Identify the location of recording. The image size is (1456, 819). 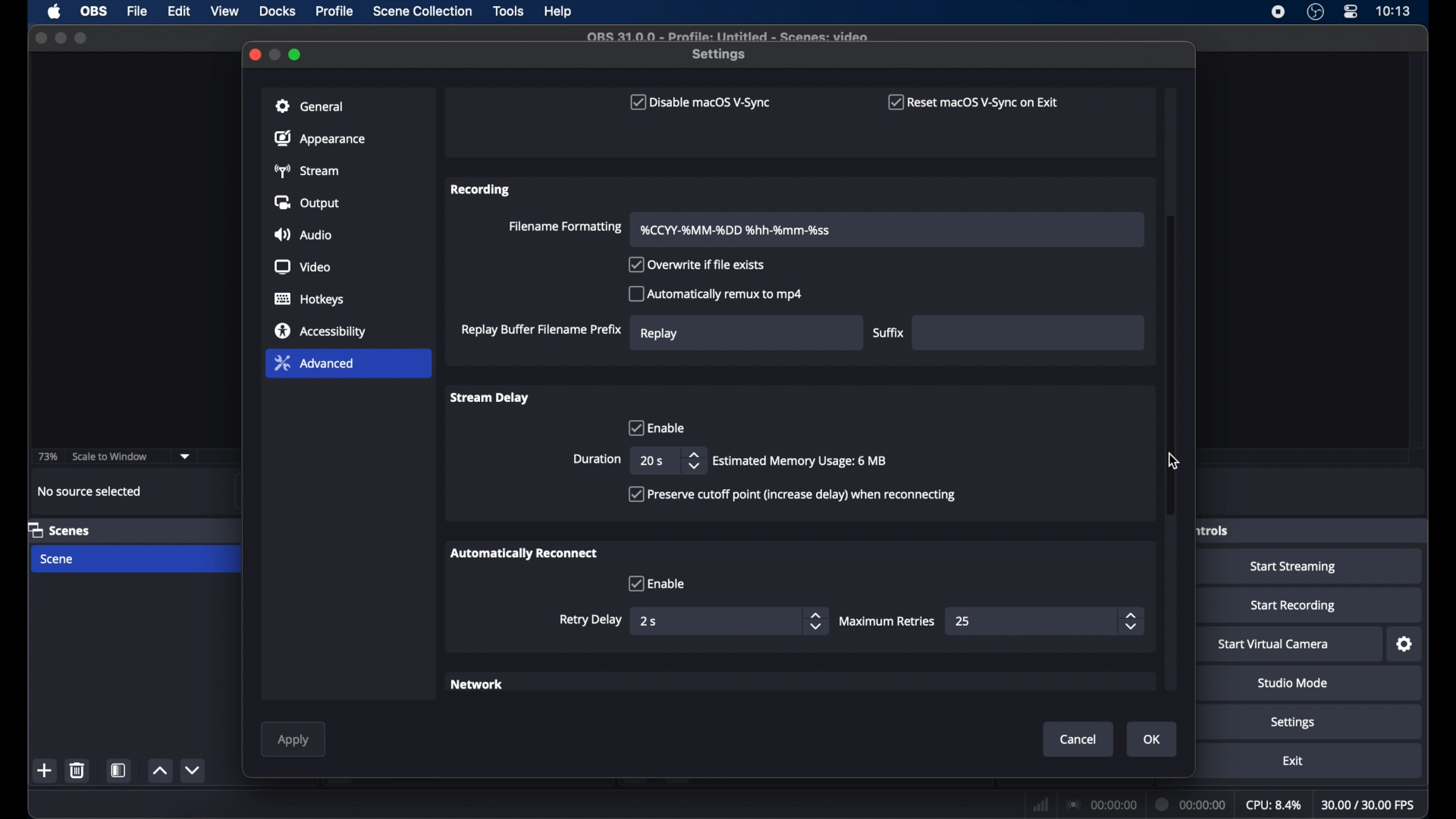
(482, 190).